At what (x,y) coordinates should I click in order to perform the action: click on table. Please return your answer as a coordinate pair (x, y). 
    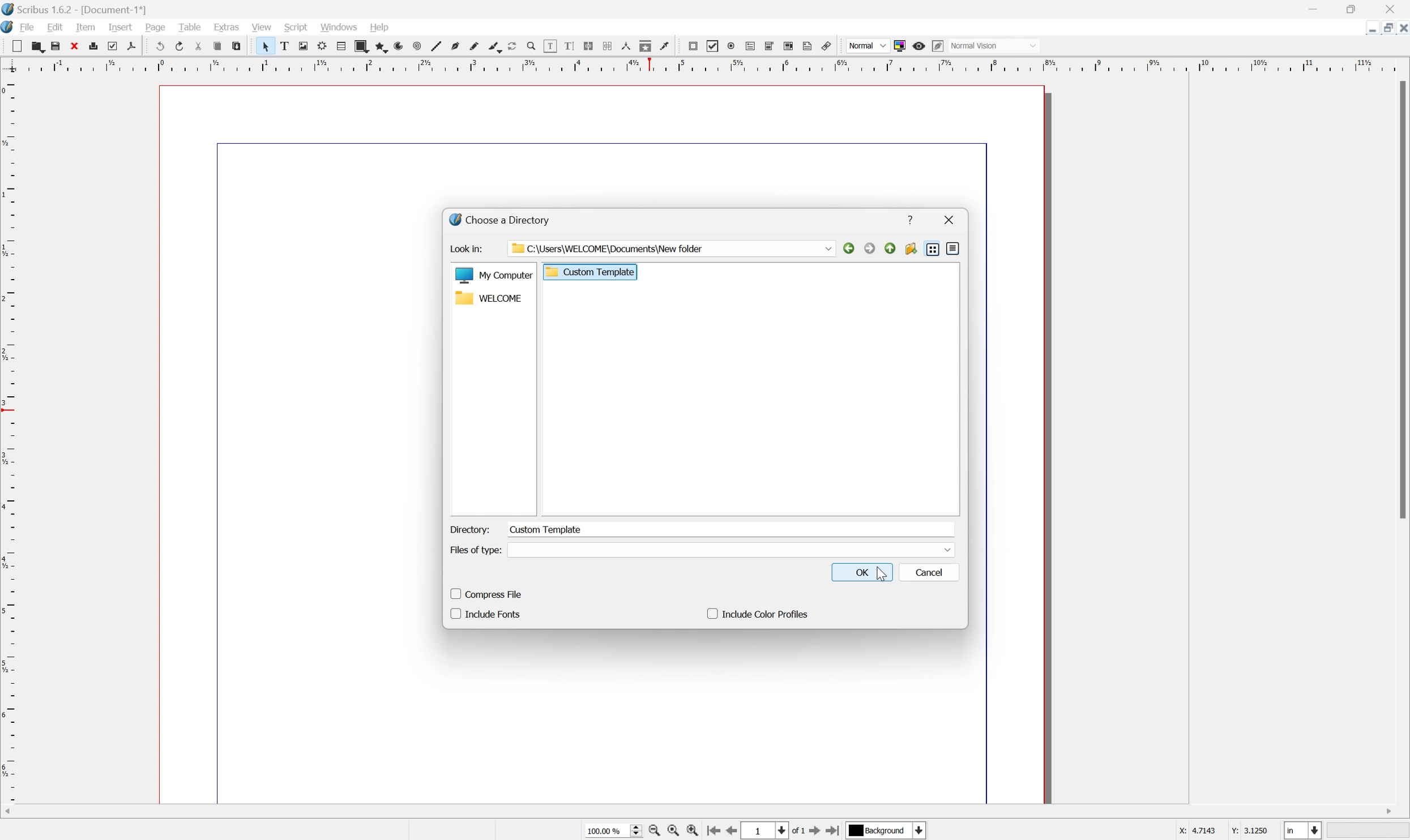
    Looking at the image, I should click on (190, 27).